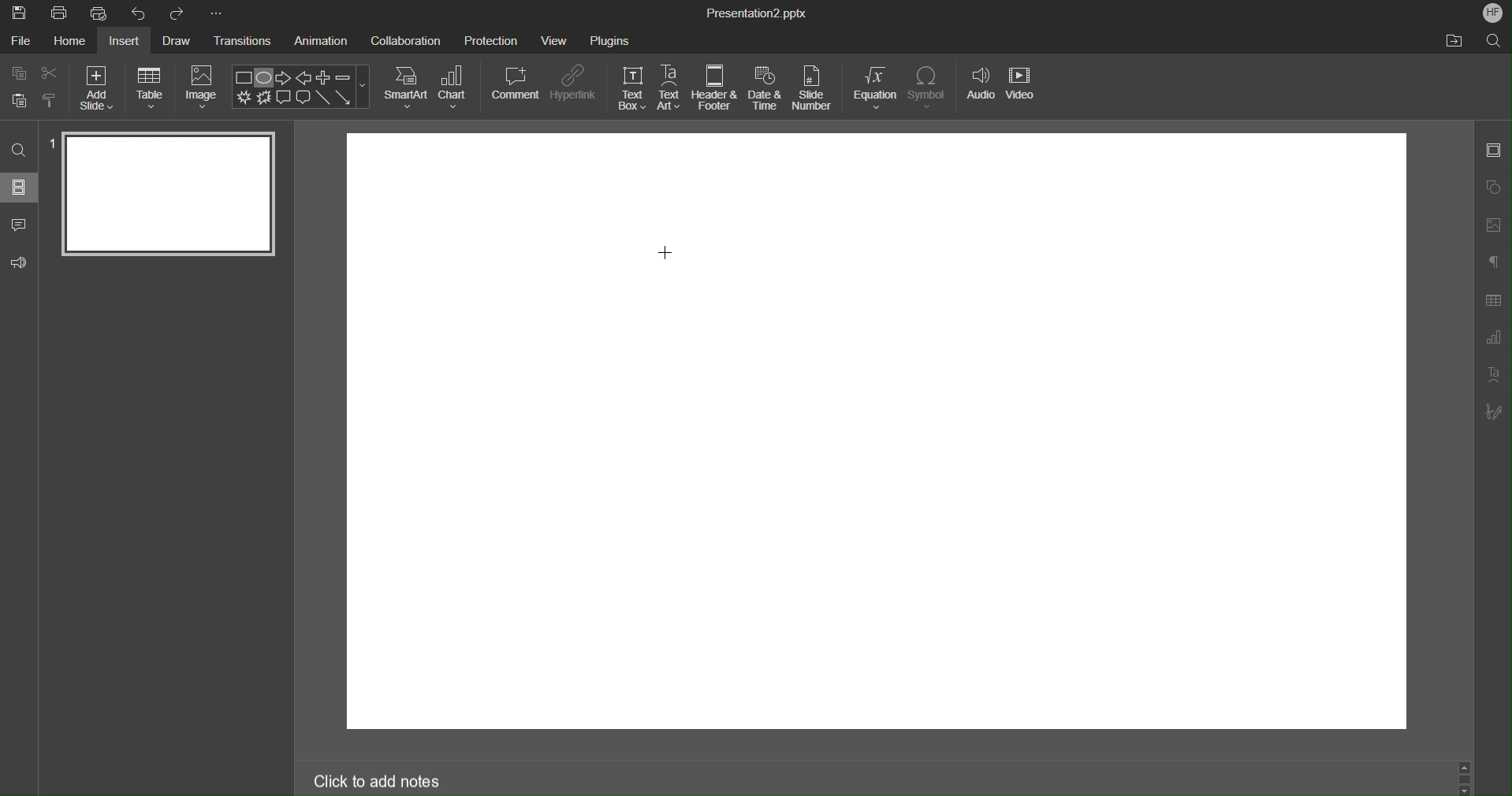  What do you see at coordinates (1495, 186) in the screenshot?
I see `Shape Settings` at bounding box center [1495, 186].